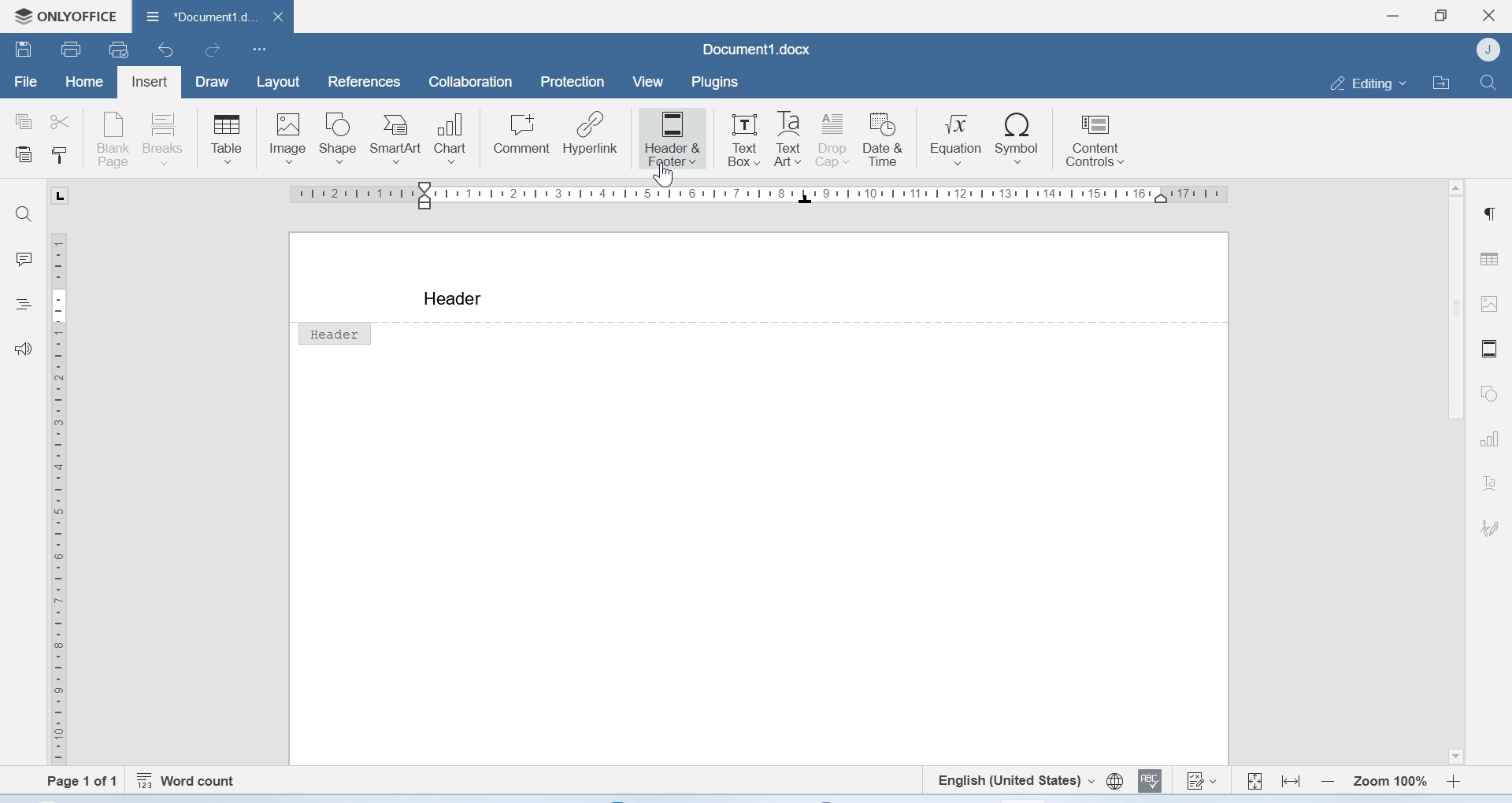  What do you see at coordinates (1152, 782) in the screenshot?
I see `Spell checking` at bounding box center [1152, 782].